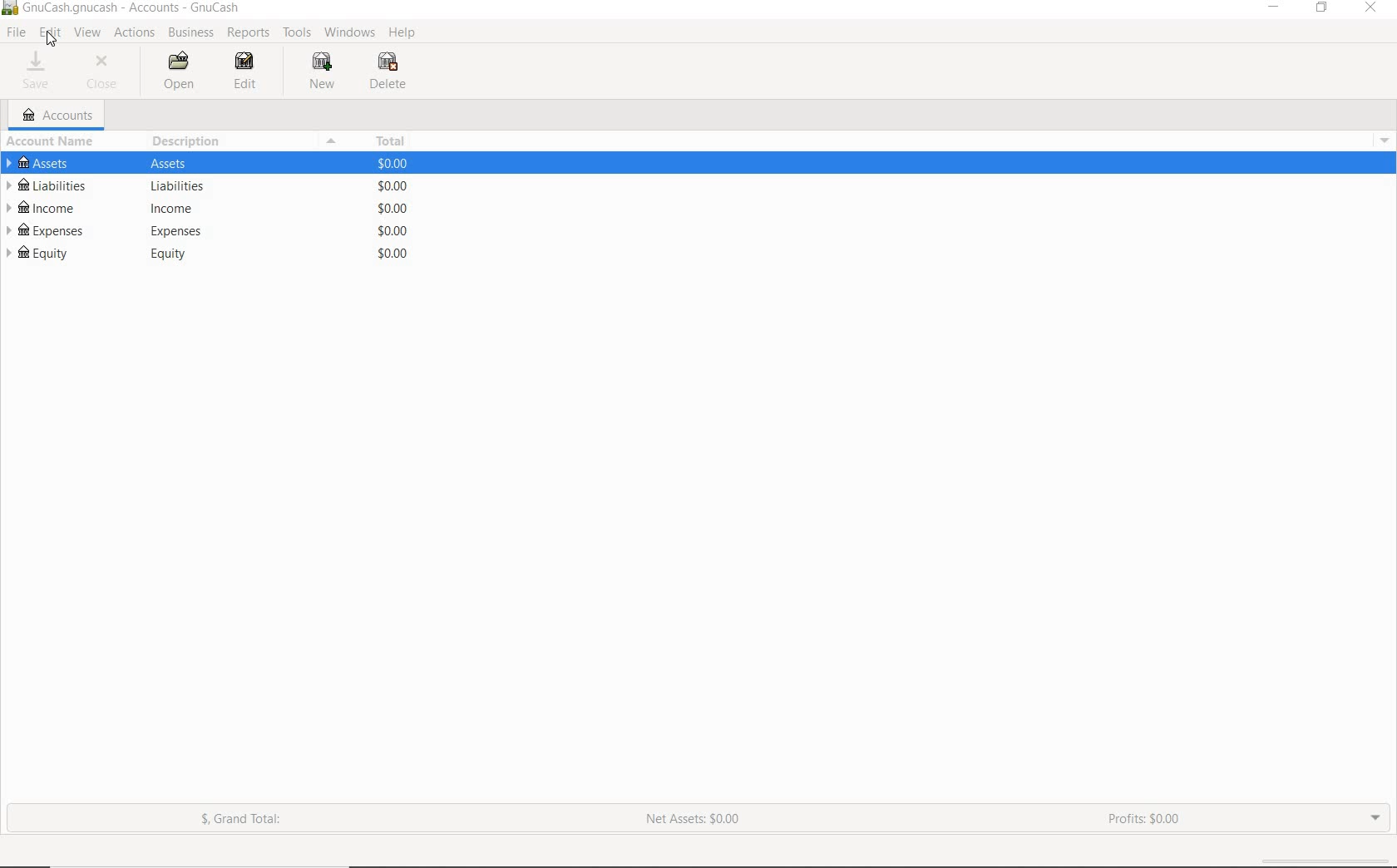  Describe the element at coordinates (329, 141) in the screenshot. I see `Menu` at that location.